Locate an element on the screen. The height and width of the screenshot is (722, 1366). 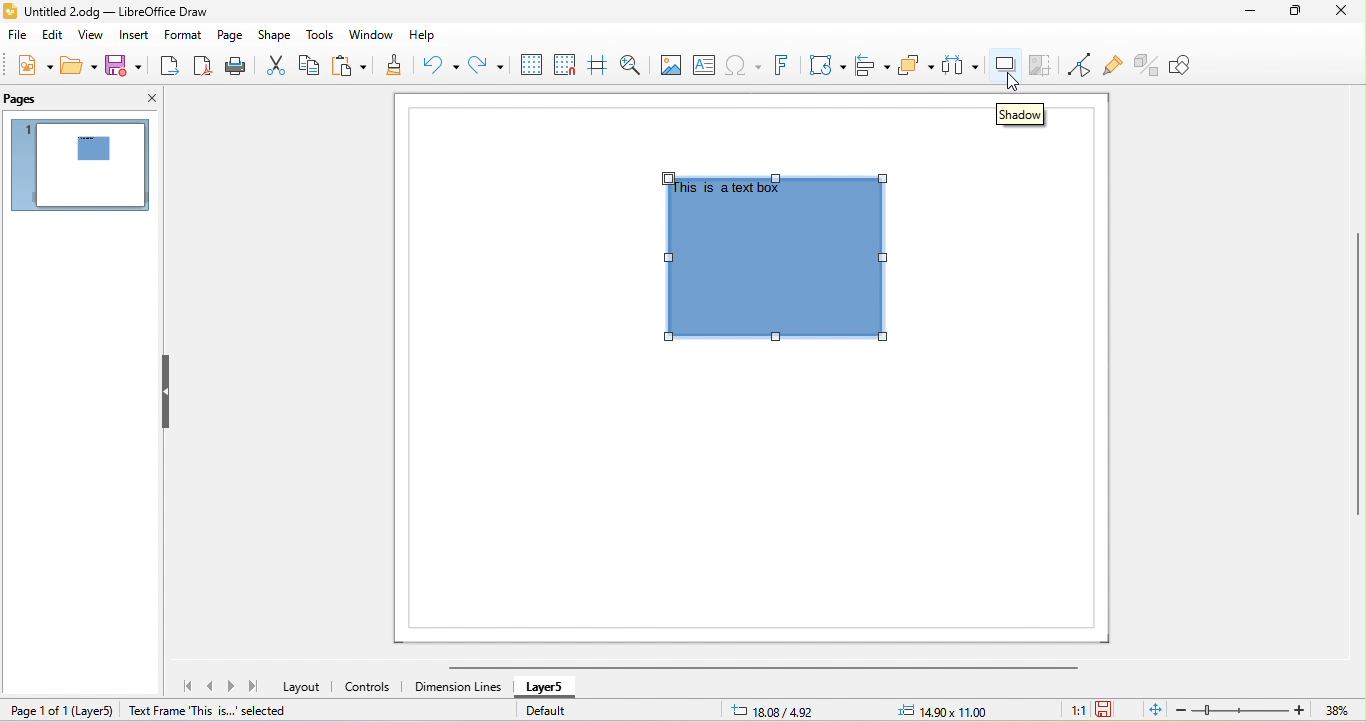
special character is located at coordinates (746, 66).